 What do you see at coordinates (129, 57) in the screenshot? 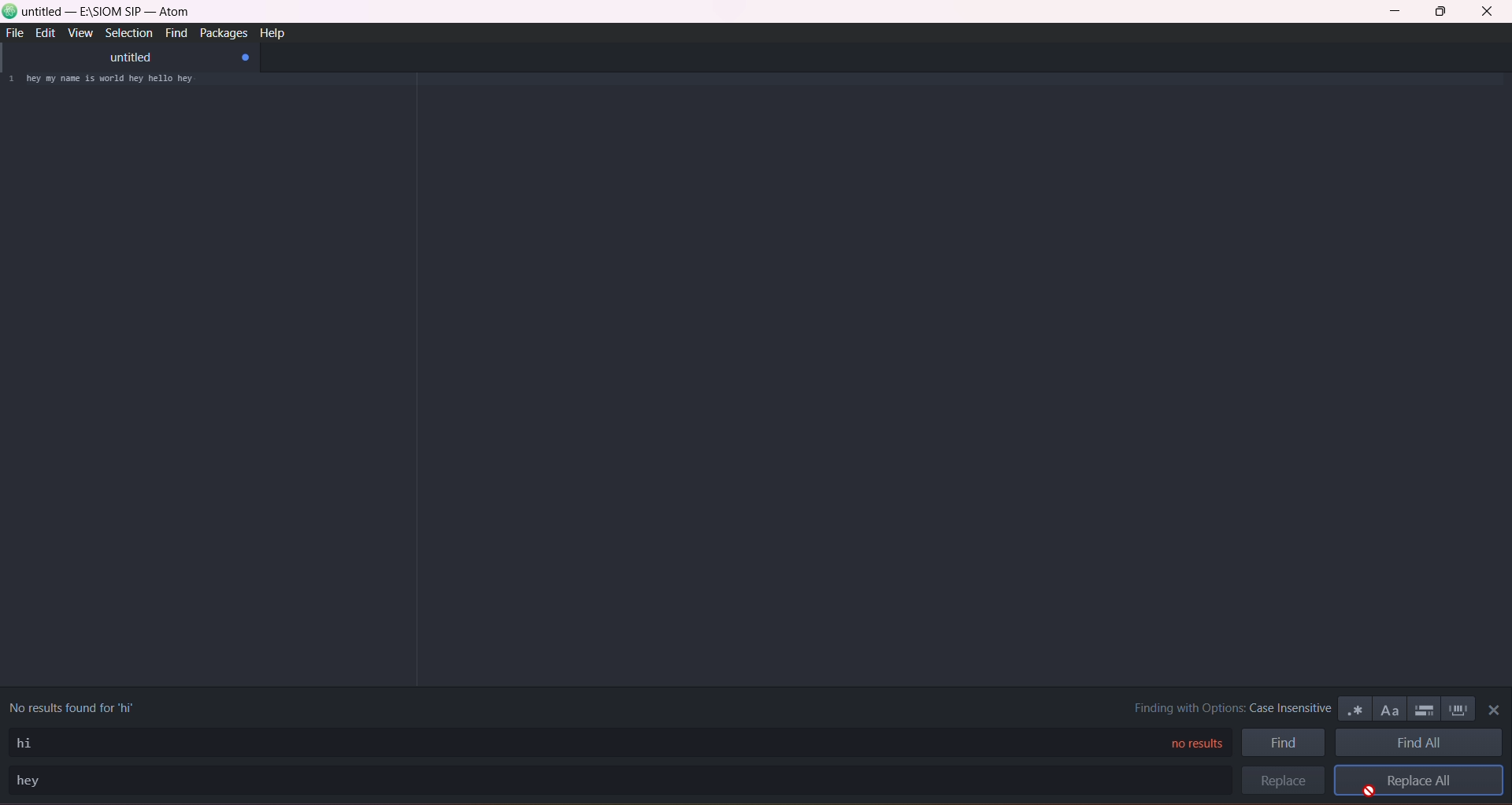
I see `untitled` at bounding box center [129, 57].